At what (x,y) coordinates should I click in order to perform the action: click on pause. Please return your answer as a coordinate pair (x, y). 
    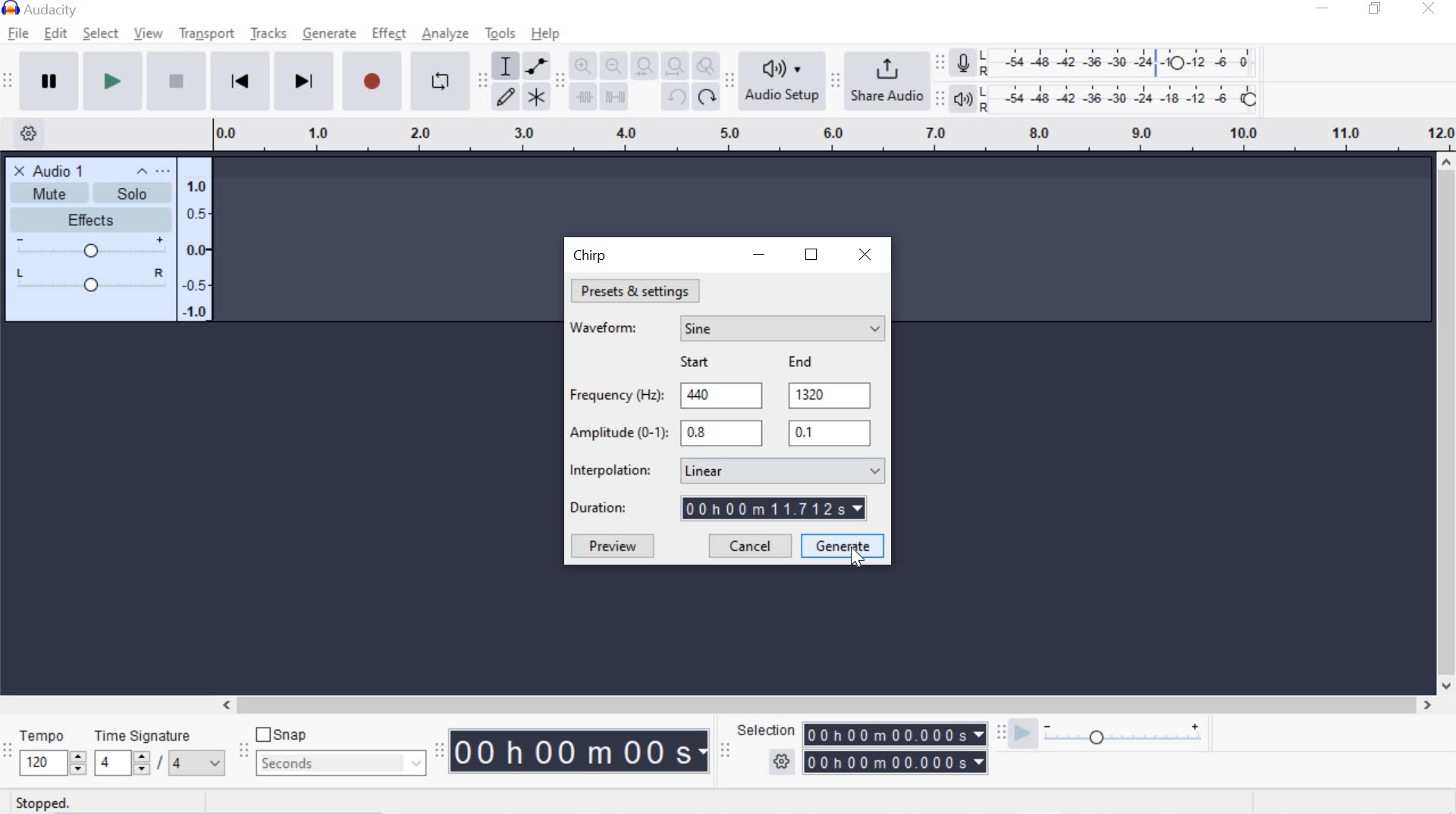
    Looking at the image, I should click on (49, 80).